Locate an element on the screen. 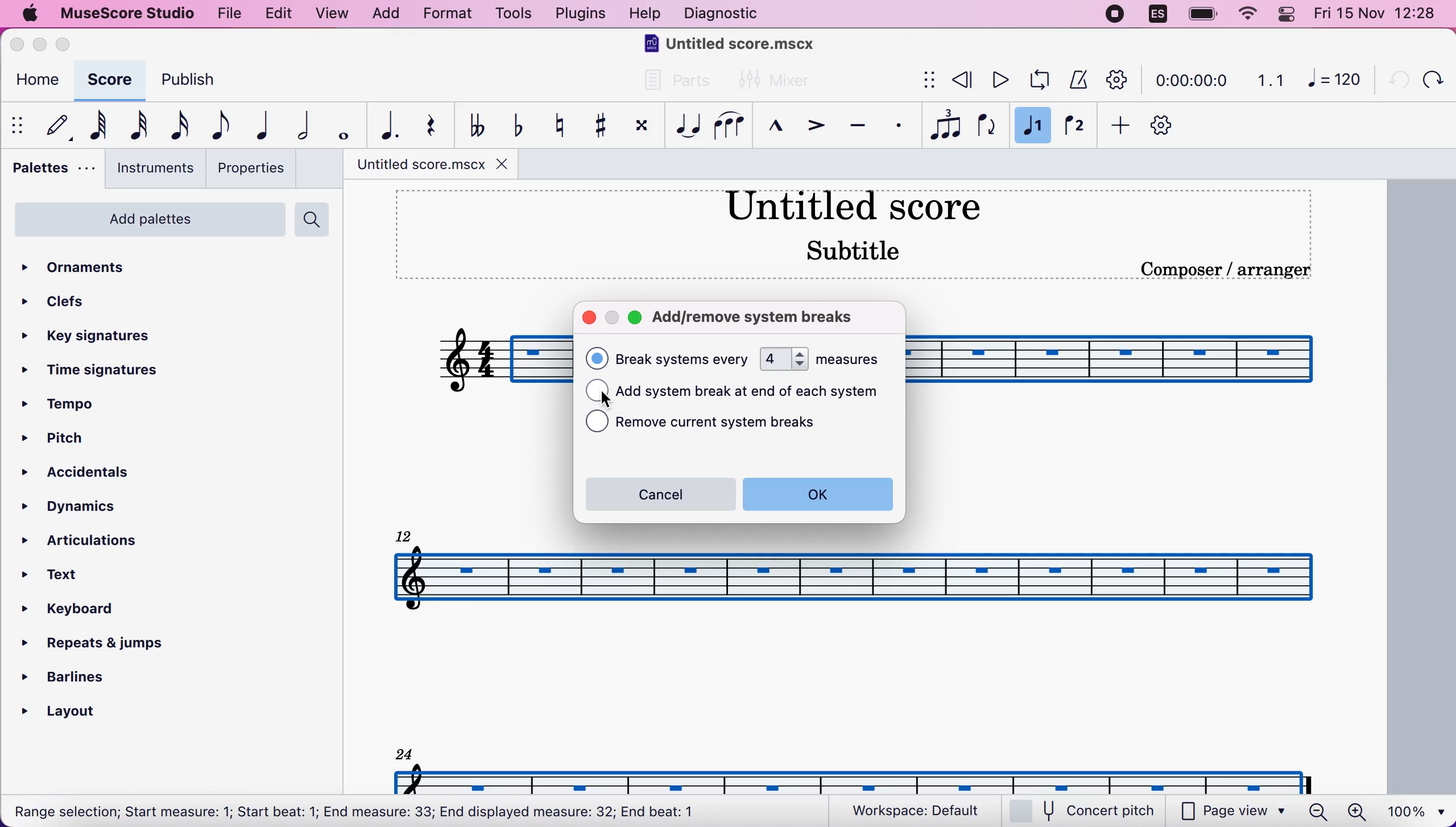  100% is located at coordinates (1413, 810).